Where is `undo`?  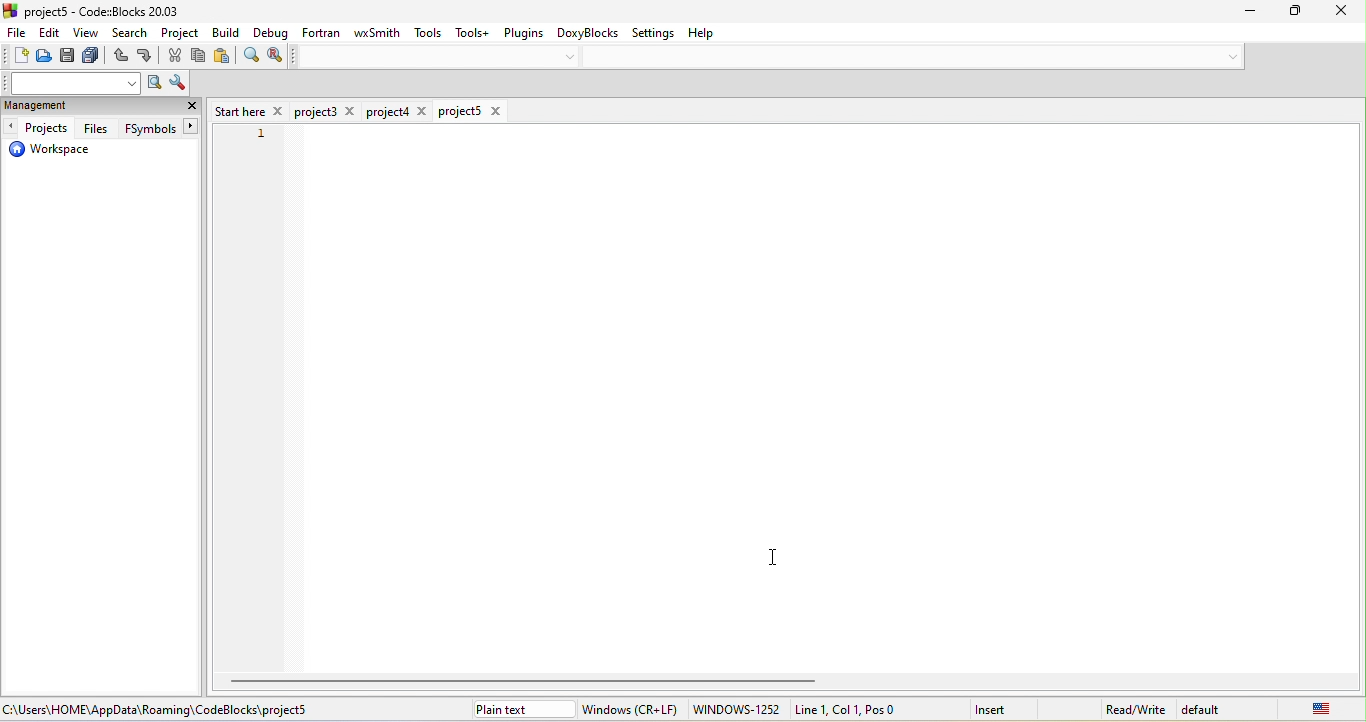
undo is located at coordinates (120, 58).